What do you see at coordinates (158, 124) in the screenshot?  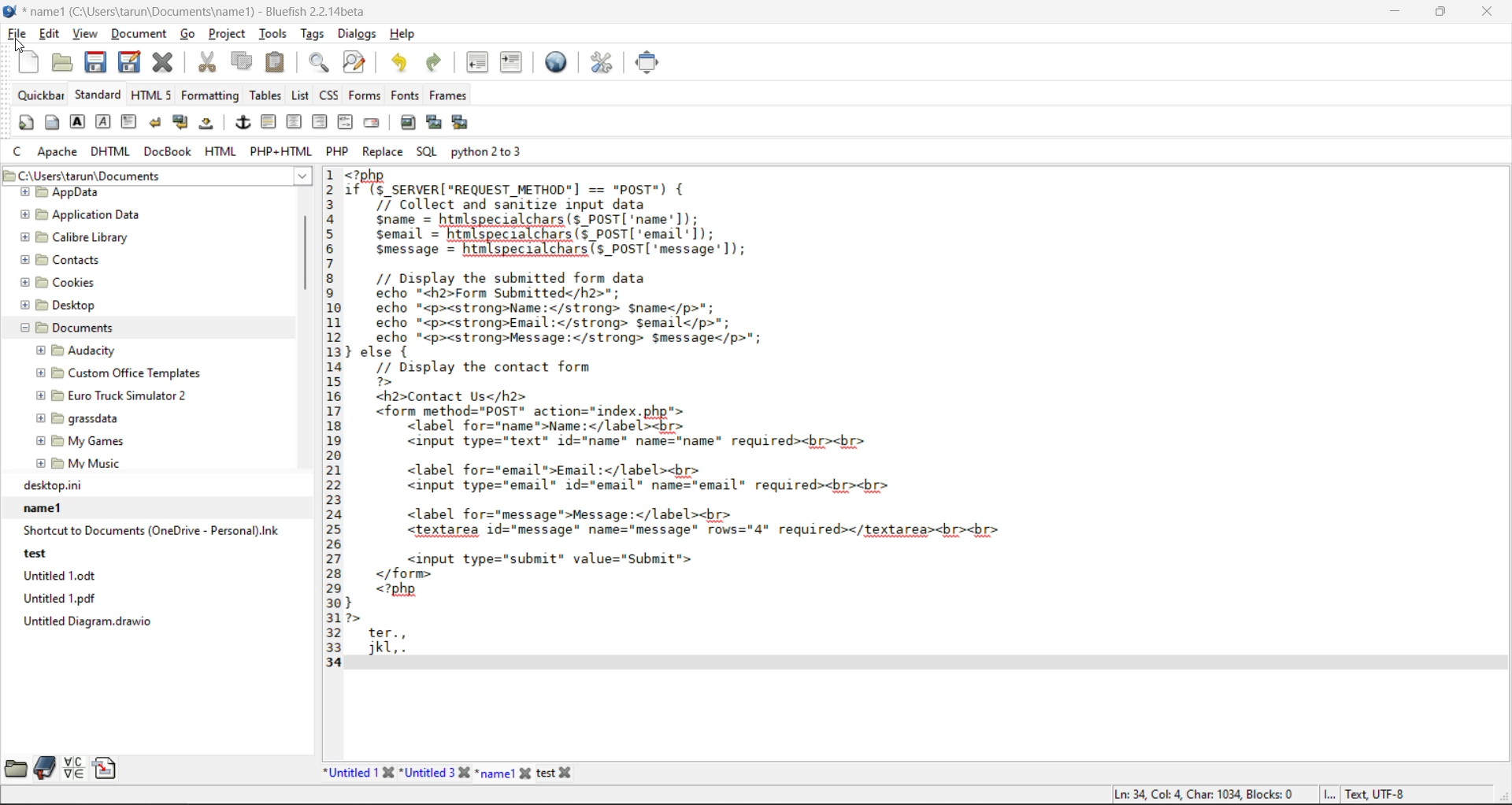 I see `break` at bounding box center [158, 124].